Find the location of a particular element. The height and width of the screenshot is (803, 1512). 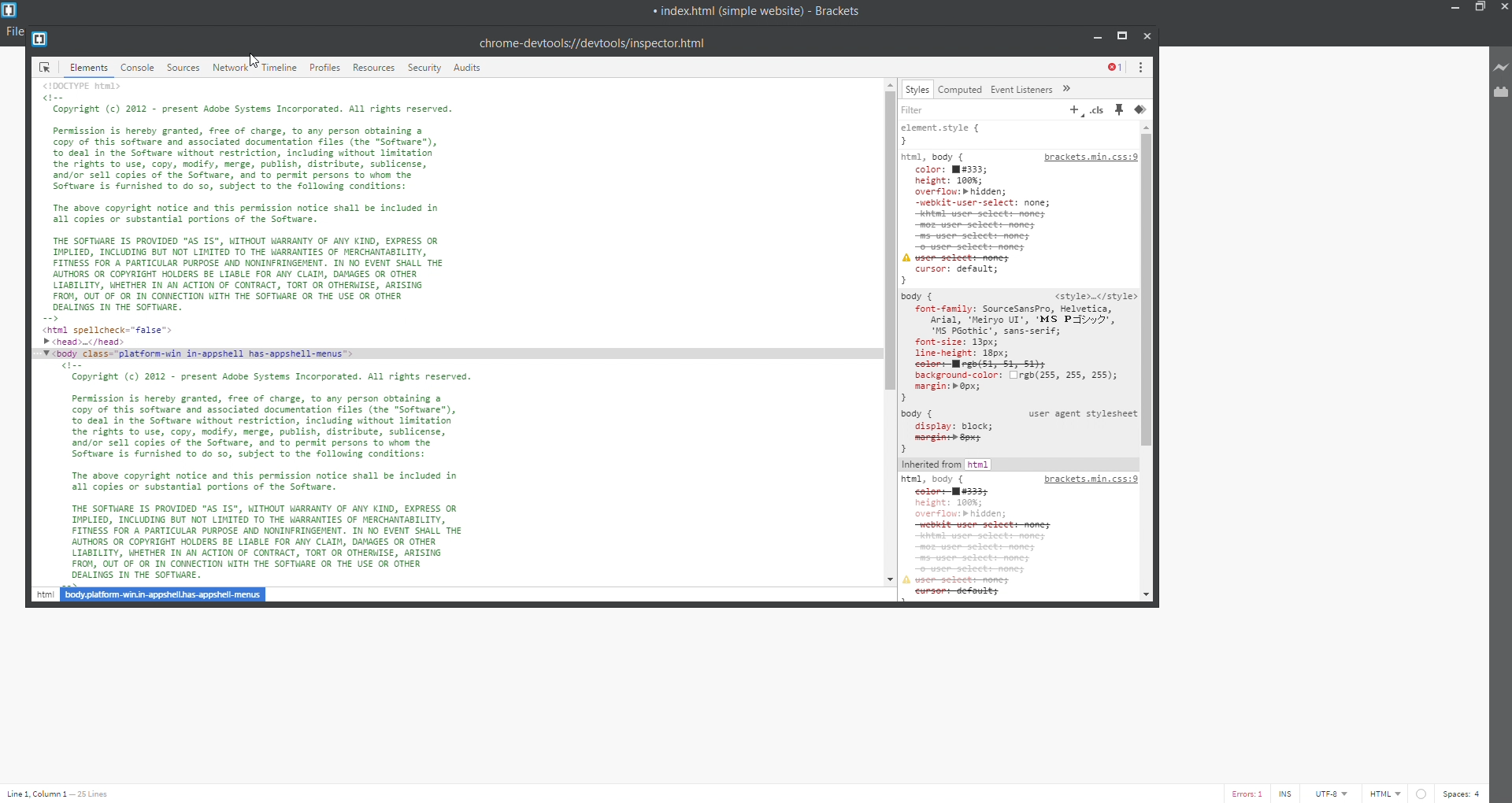

maximize/restore is located at coordinates (1481, 9).